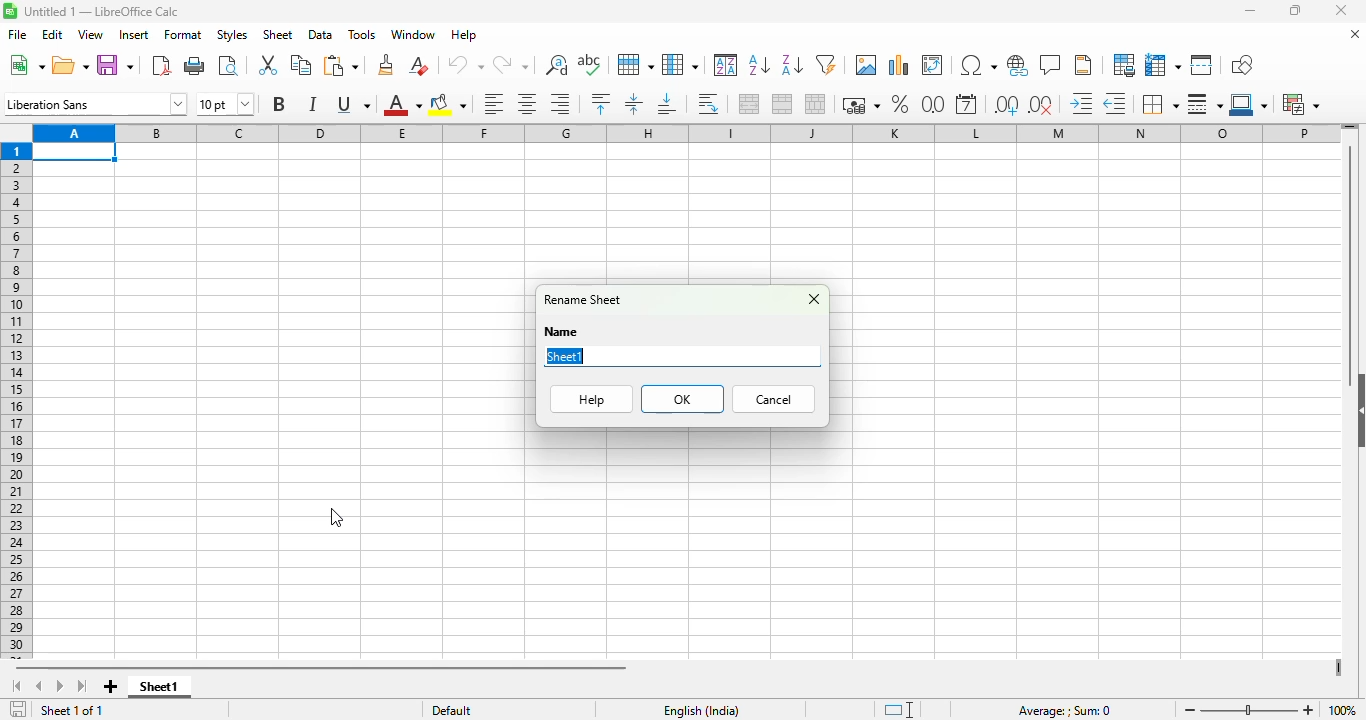 The image size is (1366, 720). Describe the element at coordinates (1340, 10) in the screenshot. I see `close` at that location.